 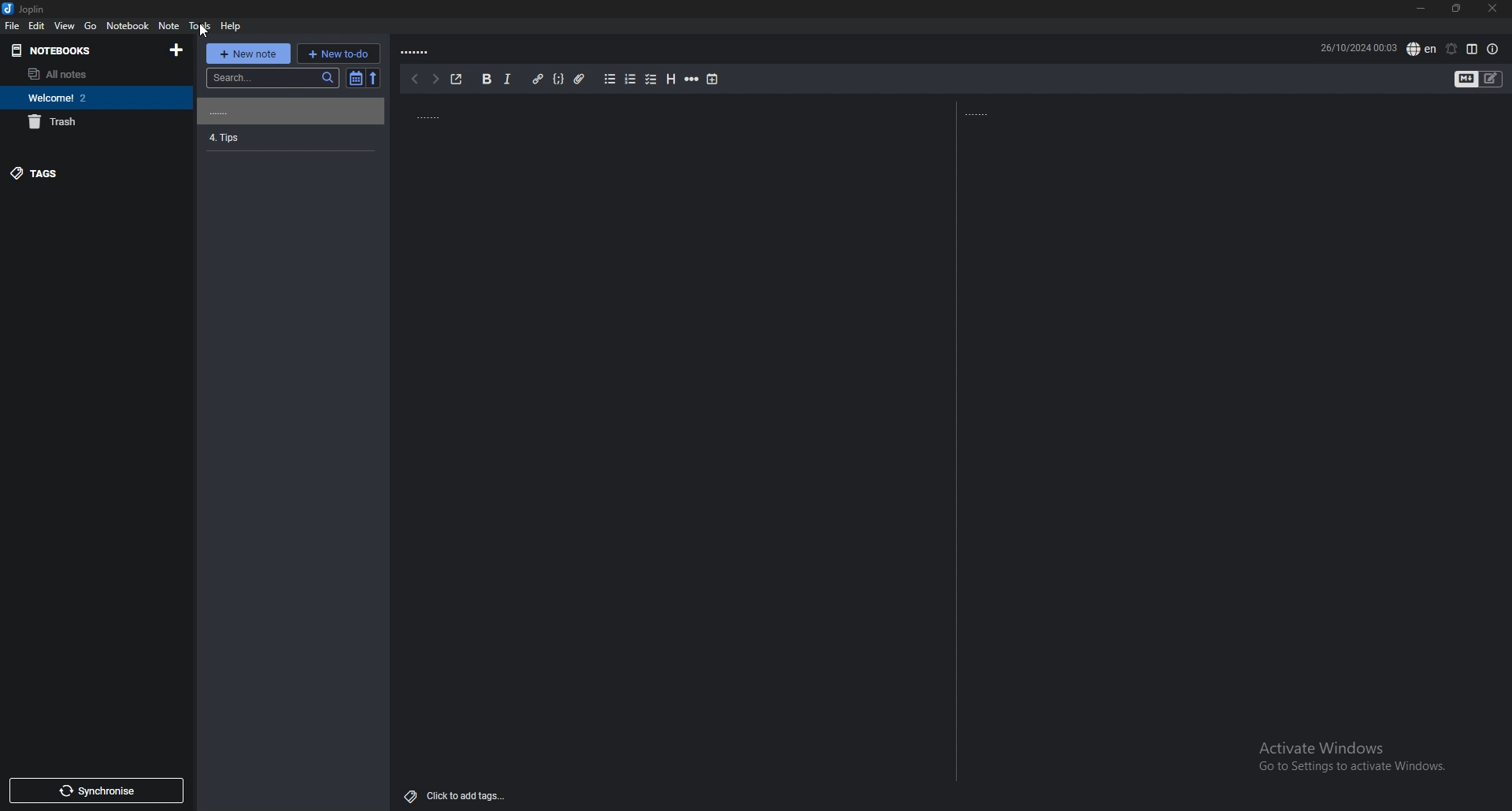 I want to click on view, so click(x=65, y=25).